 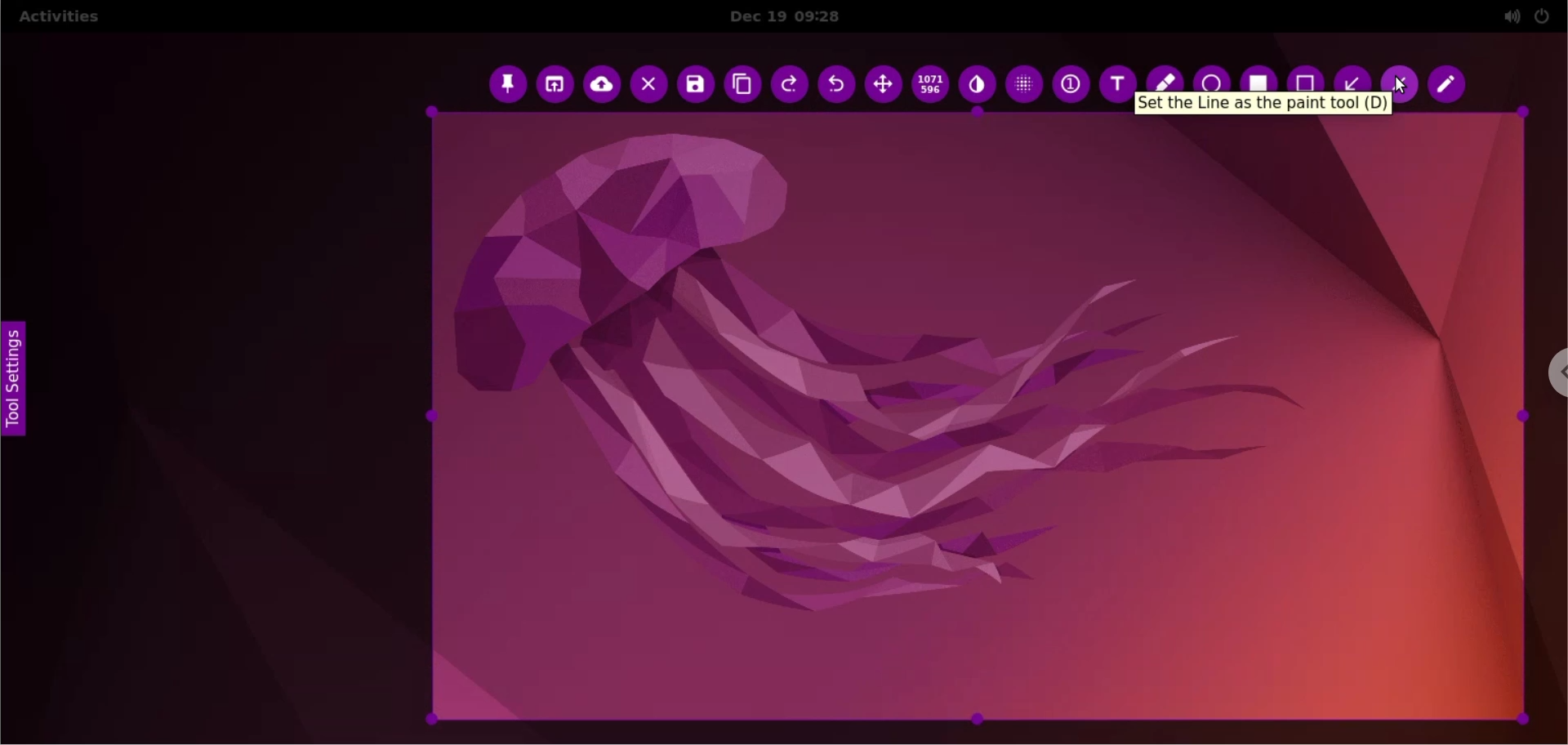 What do you see at coordinates (697, 86) in the screenshot?
I see `save` at bounding box center [697, 86].